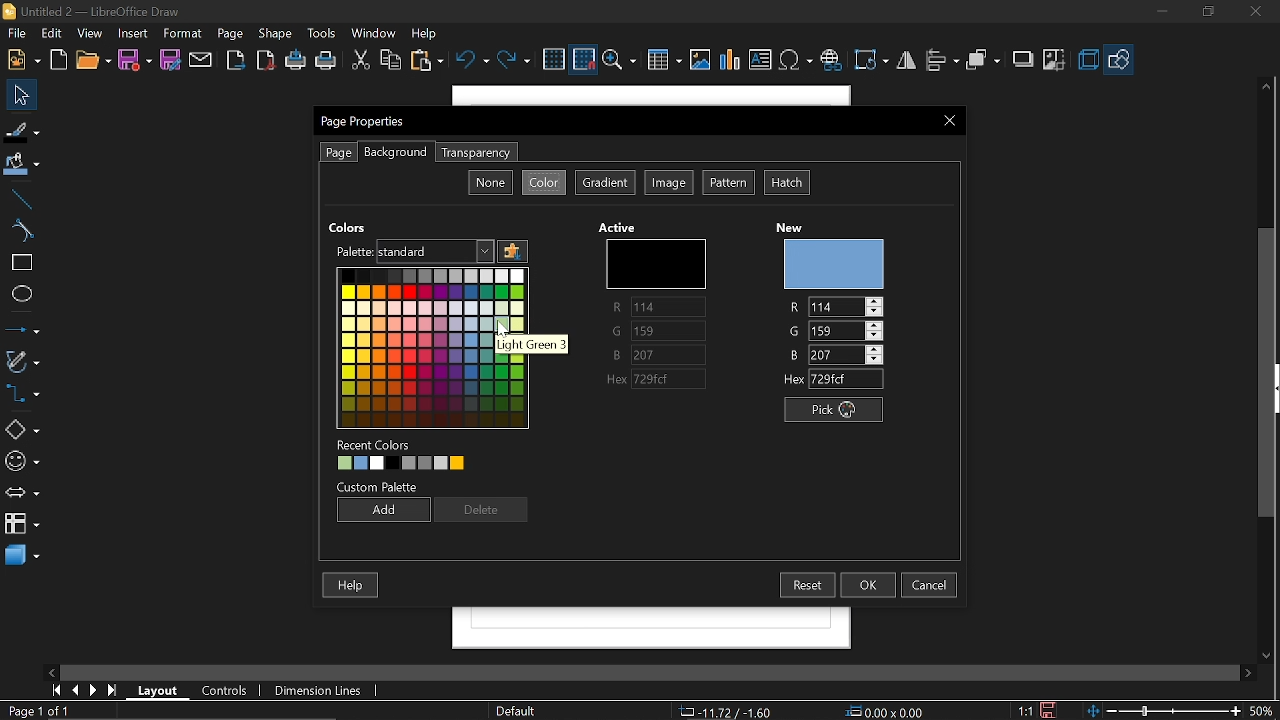 This screenshot has width=1280, height=720. Describe the element at coordinates (760, 60) in the screenshot. I see `Insert text` at that location.